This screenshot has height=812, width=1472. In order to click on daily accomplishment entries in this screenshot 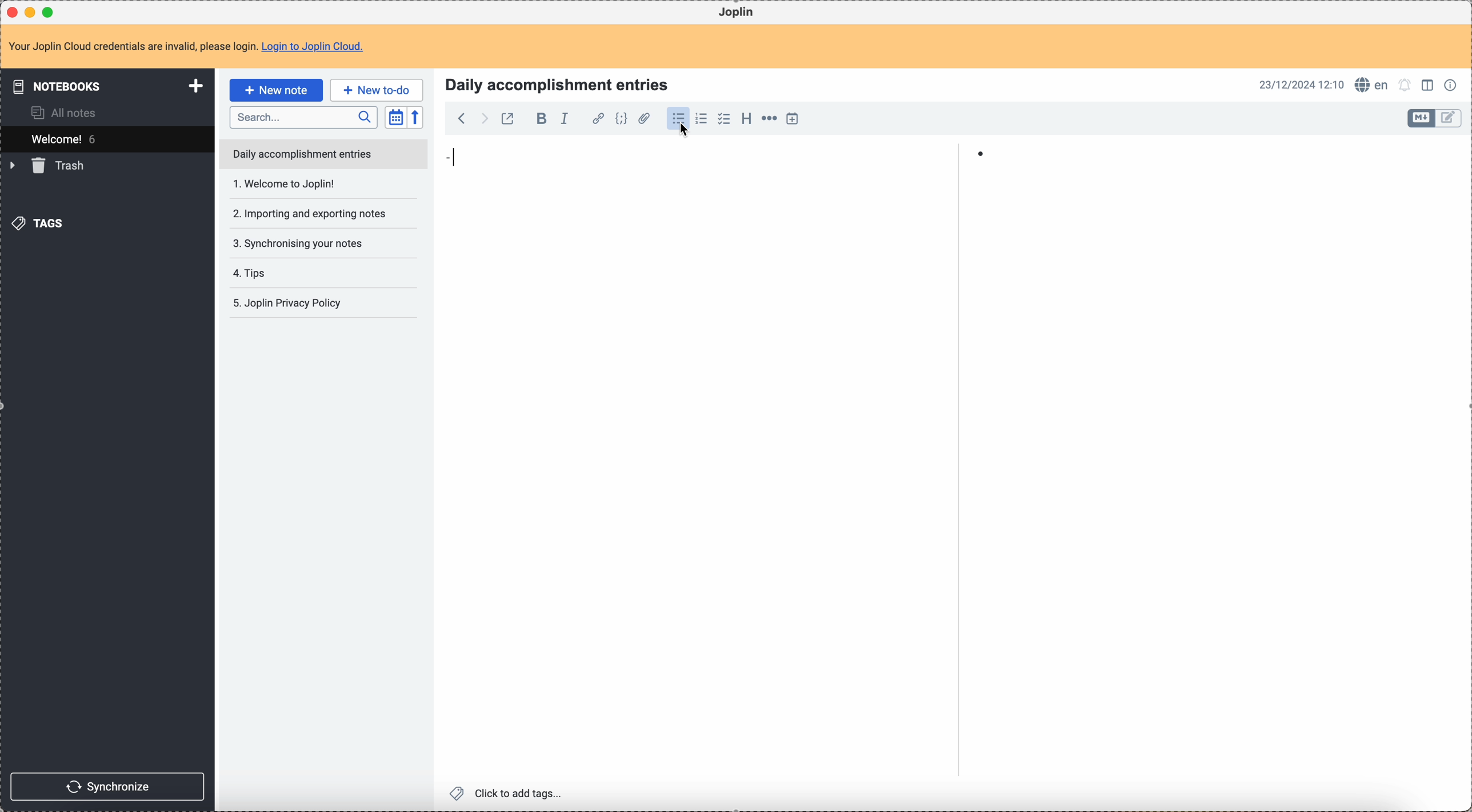, I will do `click(301, 153)`.